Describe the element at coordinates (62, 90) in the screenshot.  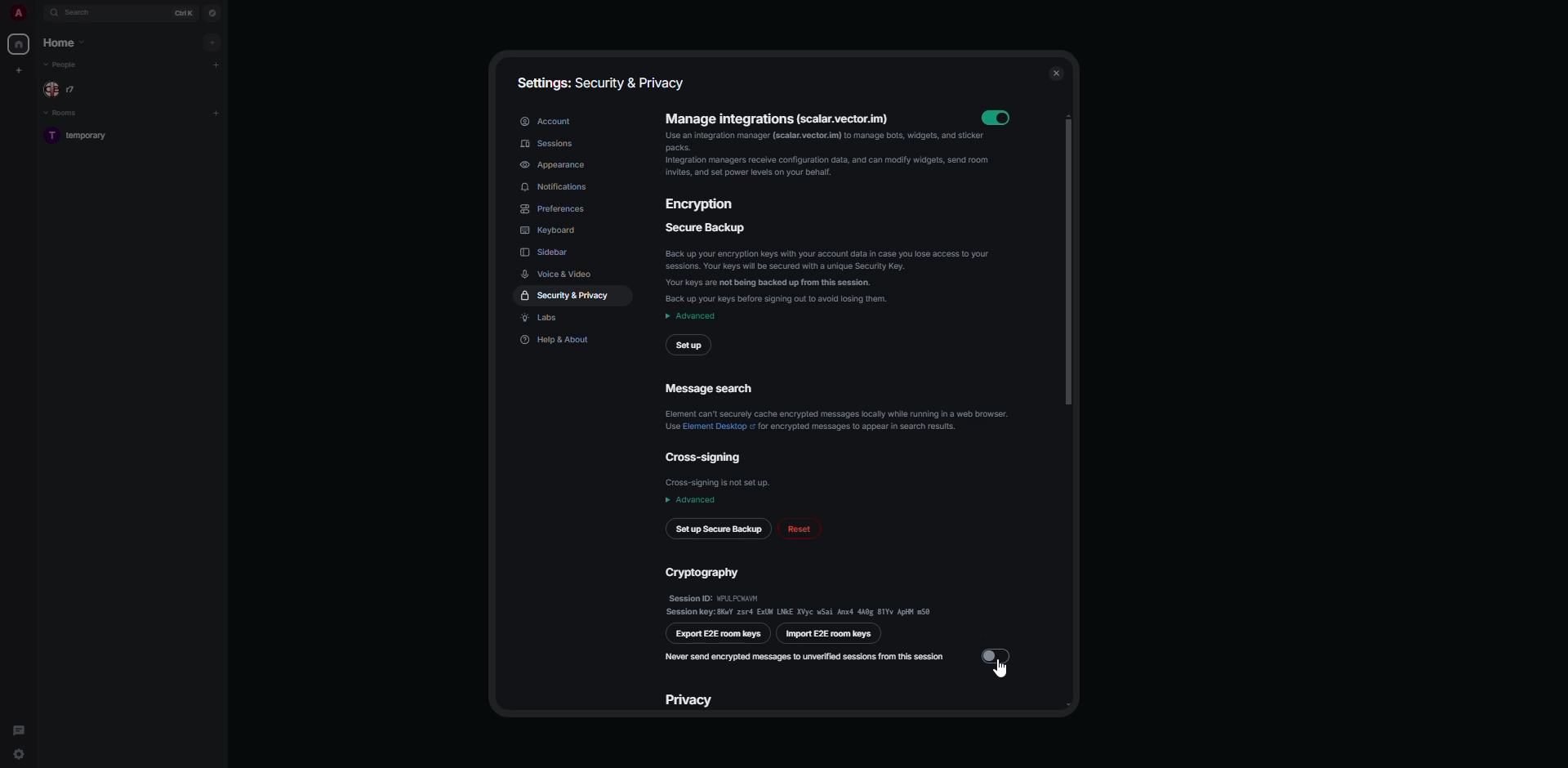
I see `people` at that location.